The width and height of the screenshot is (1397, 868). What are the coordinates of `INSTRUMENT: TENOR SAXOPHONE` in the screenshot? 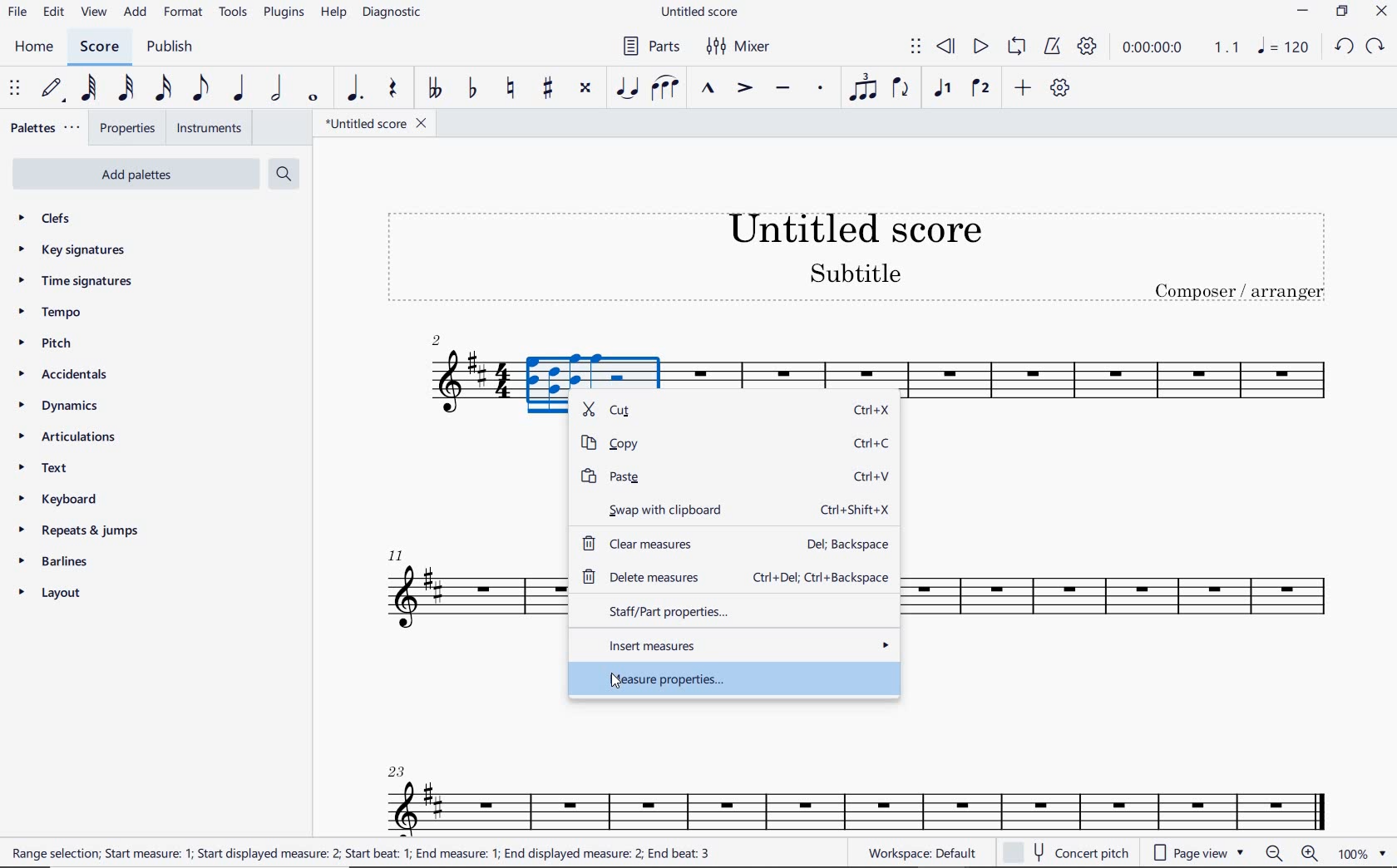 It's located at (1128, 372).